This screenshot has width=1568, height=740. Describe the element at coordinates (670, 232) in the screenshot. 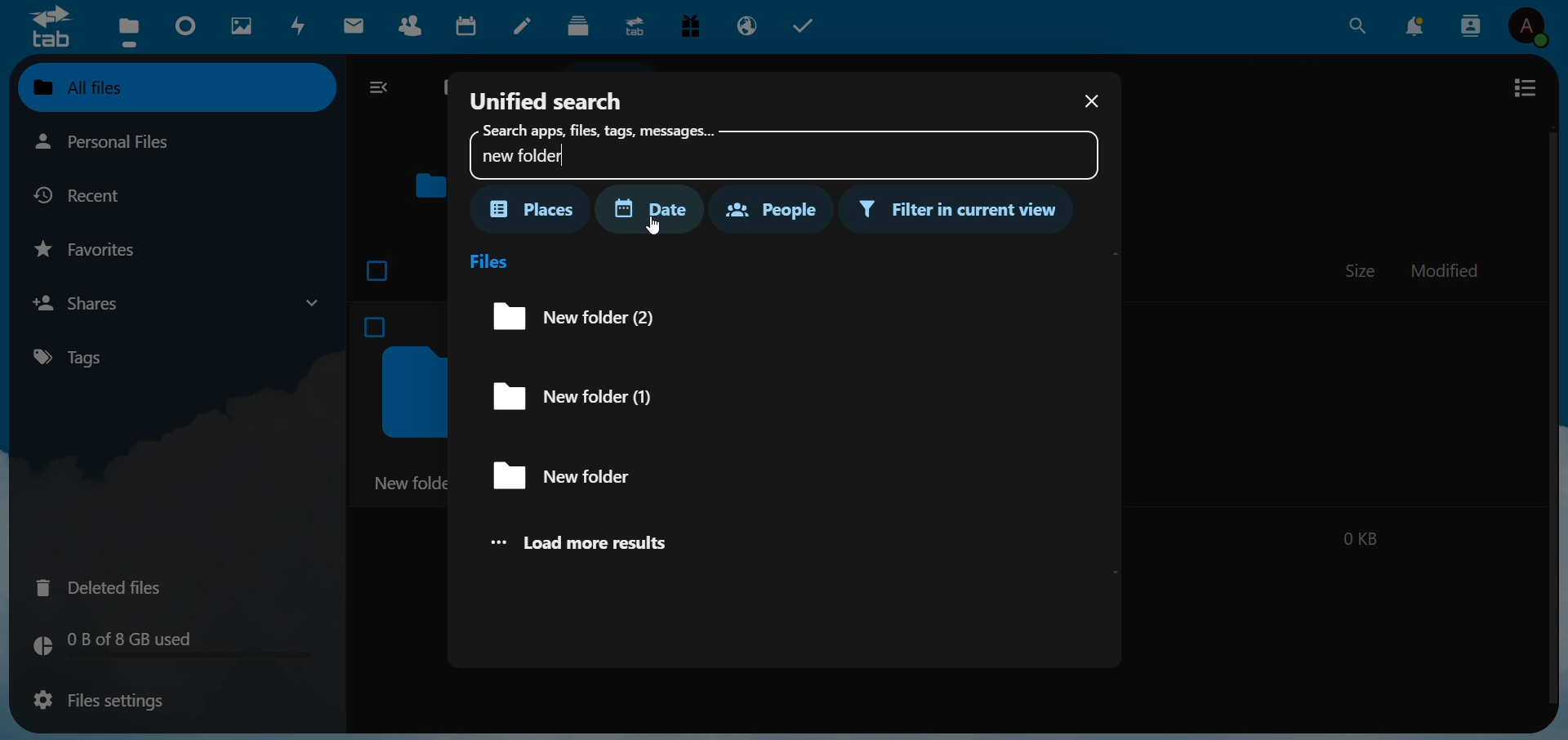

I see `cursor` at that location.